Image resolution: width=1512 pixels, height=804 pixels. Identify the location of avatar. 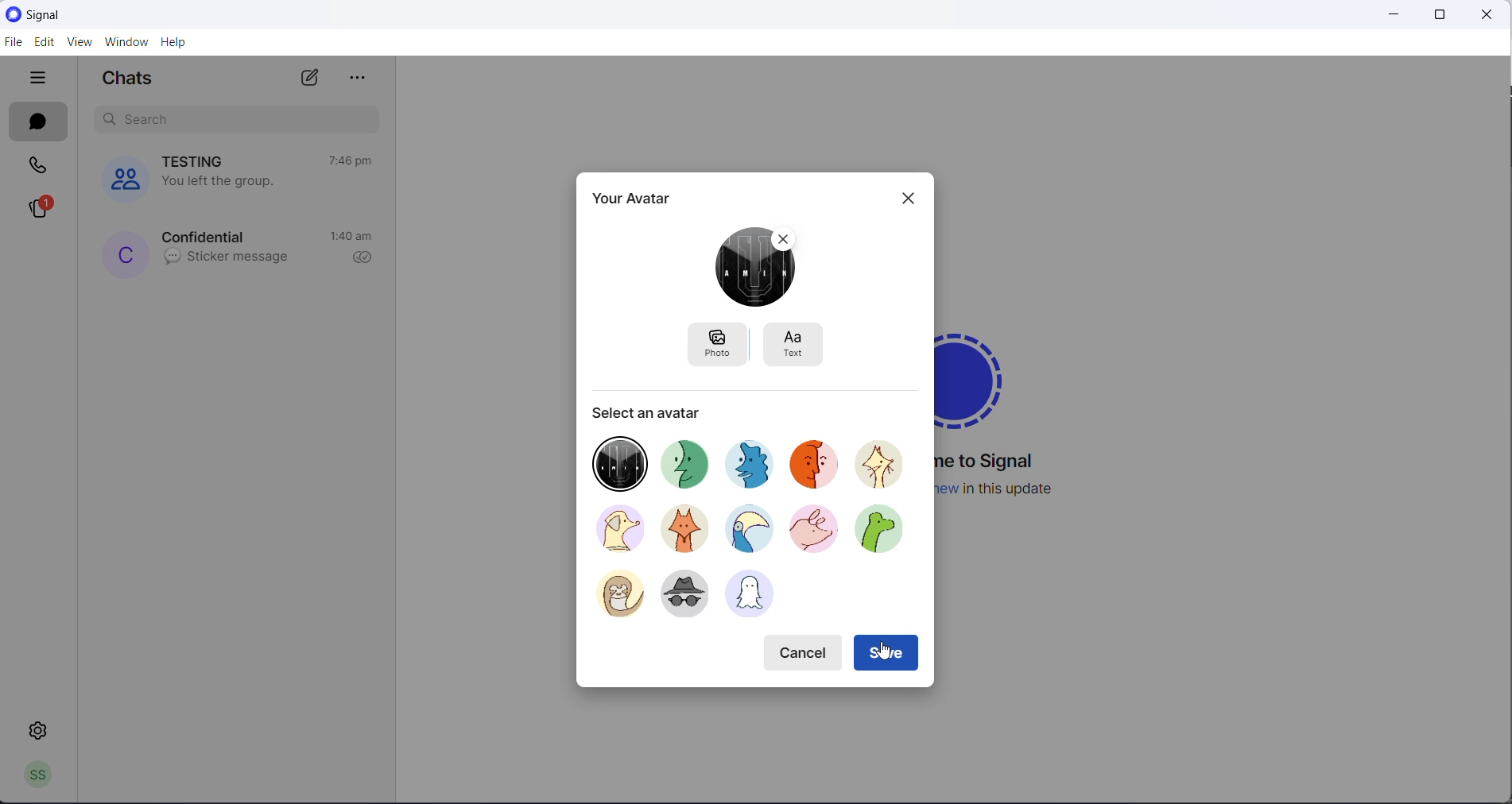
(813, 533).